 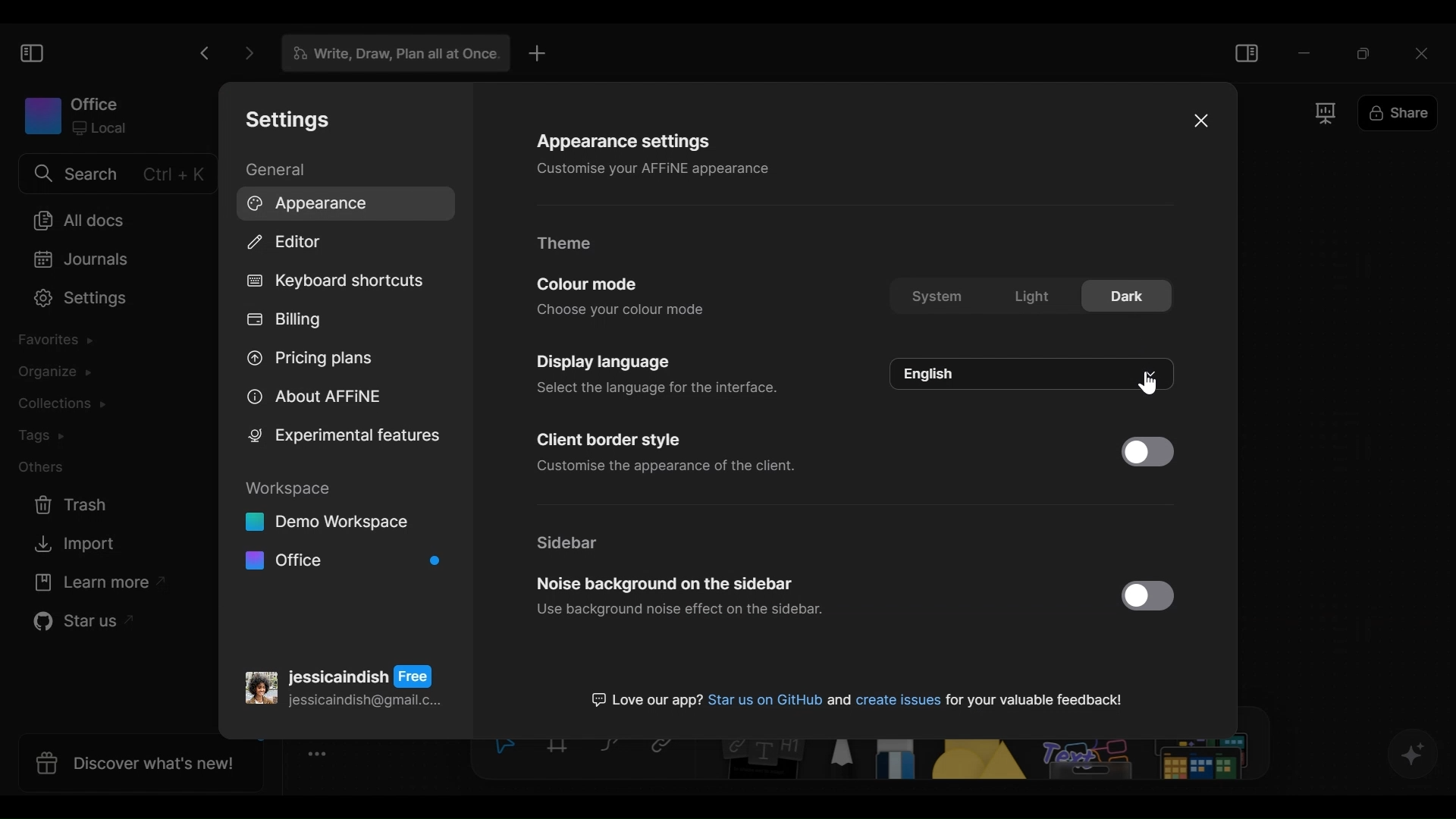 What do you see at coordinates (344, 682) in the screenshot?
I see `Account` at bounding box center [344, 682].